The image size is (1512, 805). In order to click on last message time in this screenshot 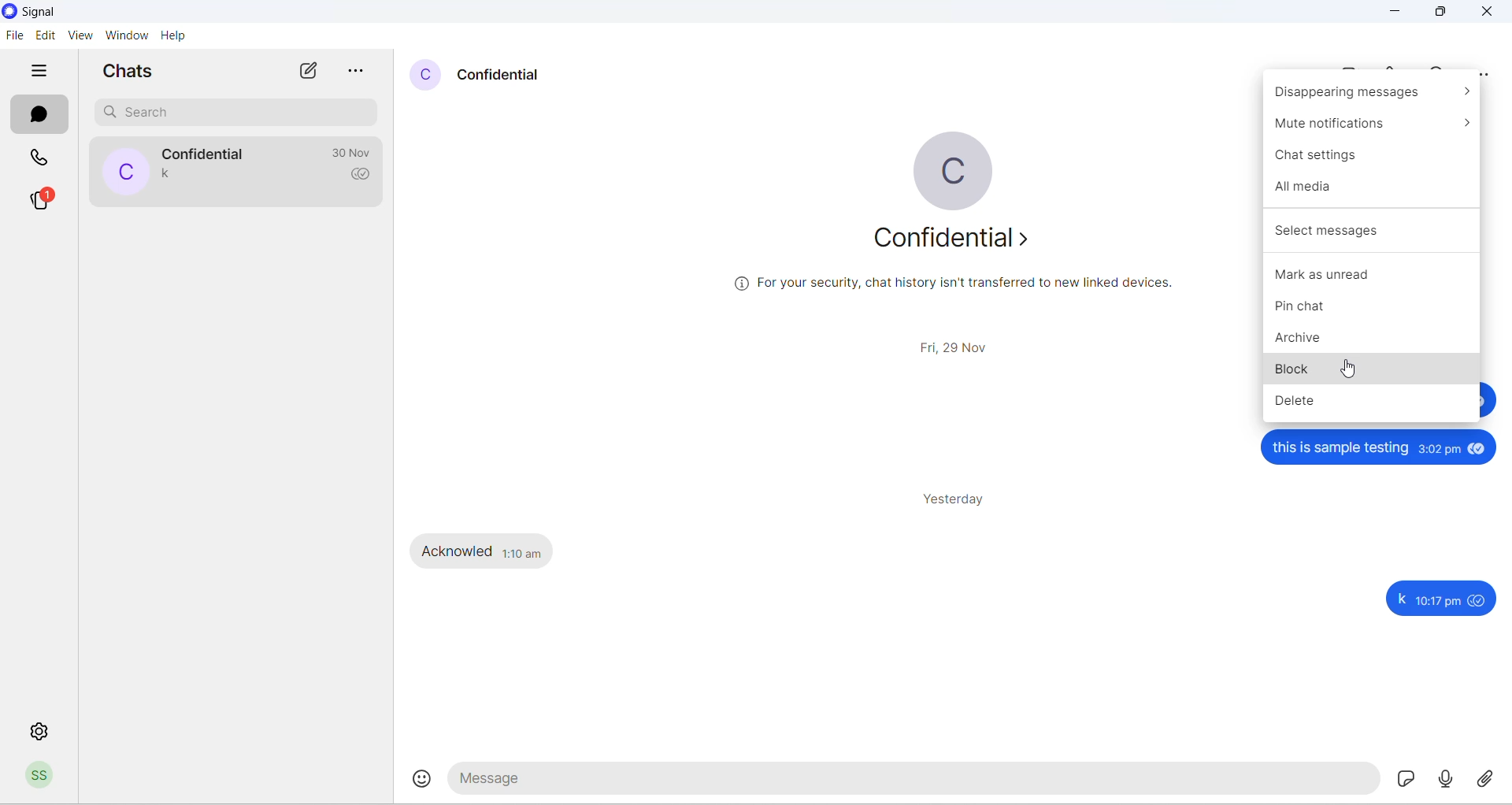, I will do `click(347, 152)`.